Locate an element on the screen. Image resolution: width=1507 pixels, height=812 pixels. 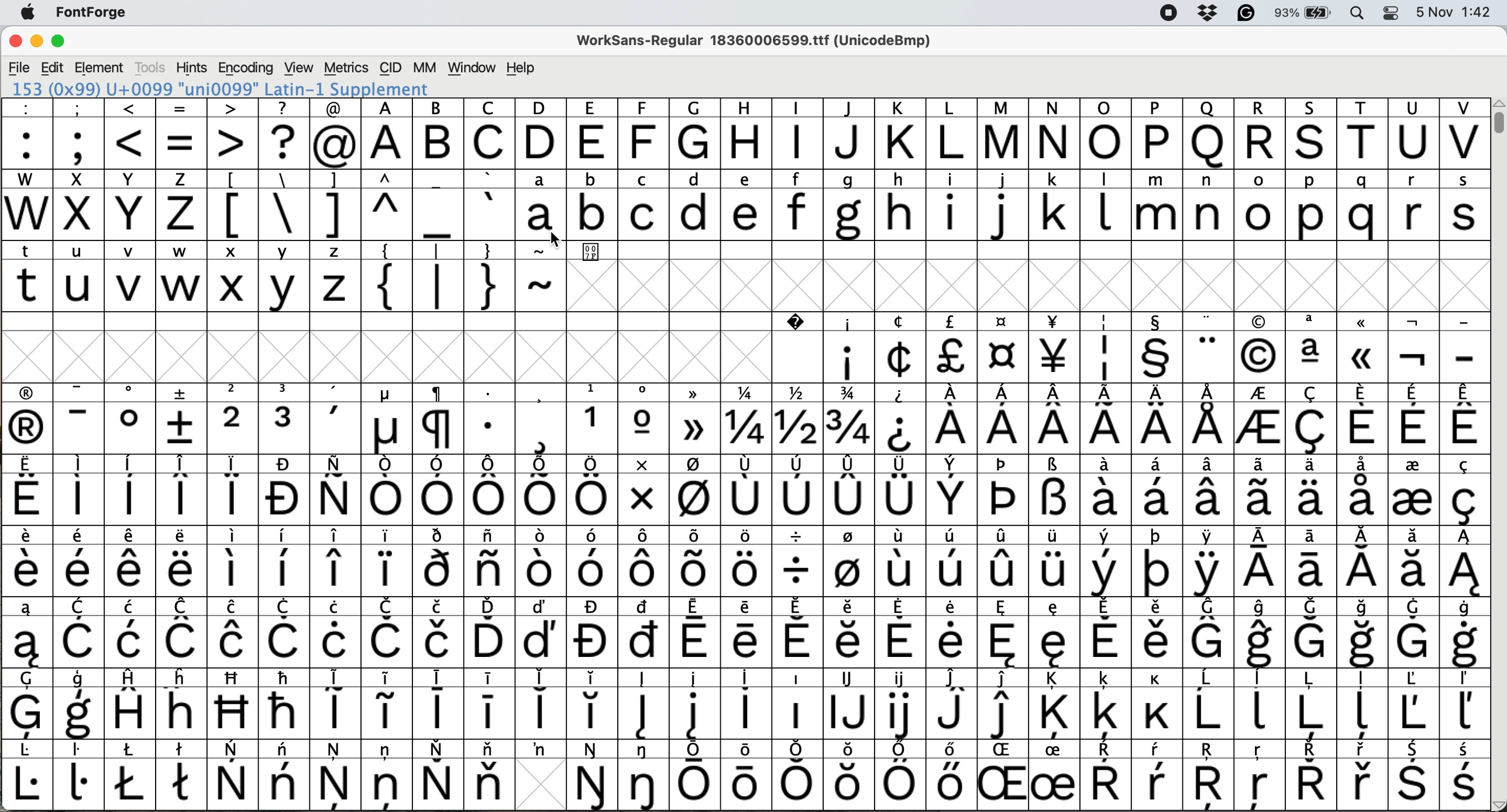
symbol is located at coordinates (849, 348).